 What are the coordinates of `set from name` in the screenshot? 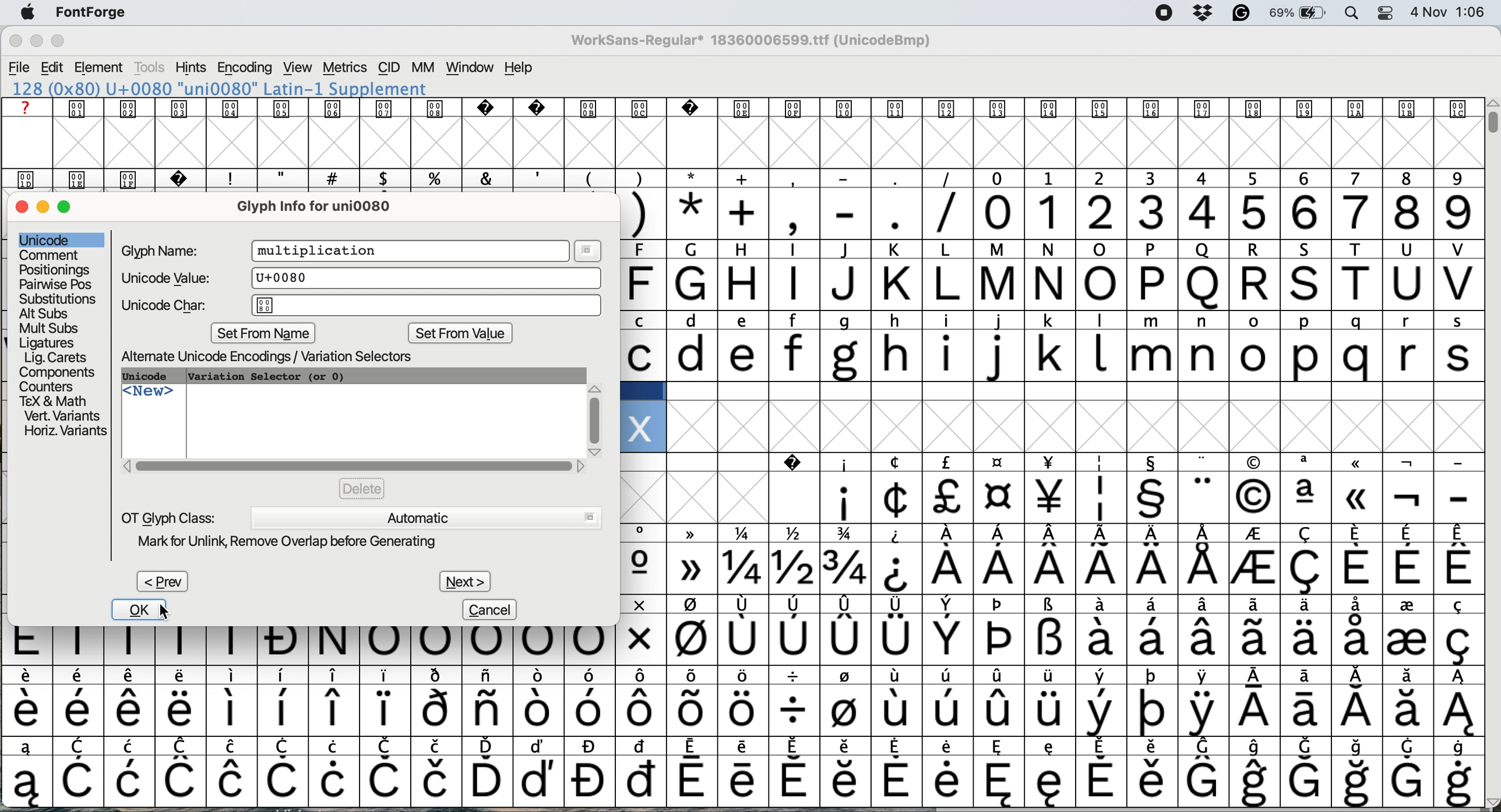 It's located at (266, 333).